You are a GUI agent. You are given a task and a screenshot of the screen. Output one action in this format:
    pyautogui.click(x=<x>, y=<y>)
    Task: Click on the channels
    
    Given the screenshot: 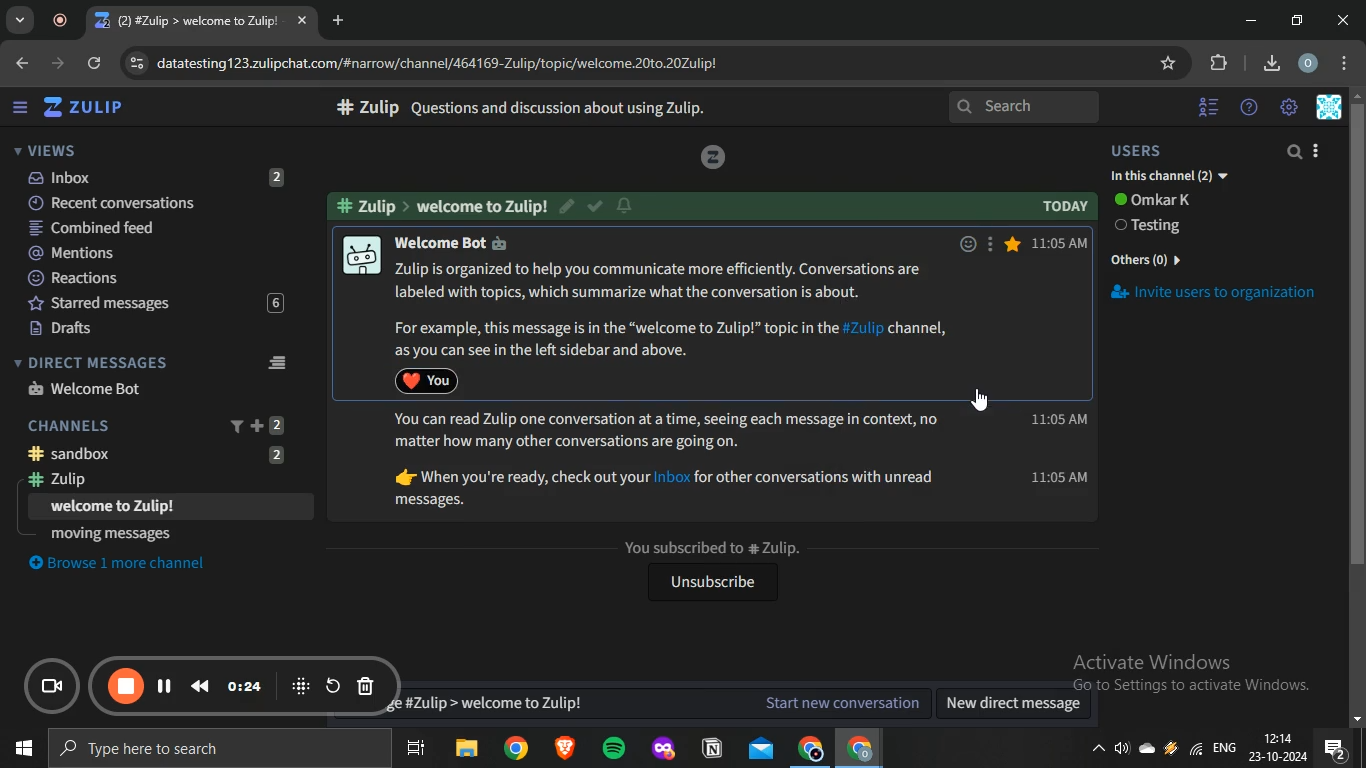 What is the action you would take?
    pyautogui.click(x=158, y=424)
    